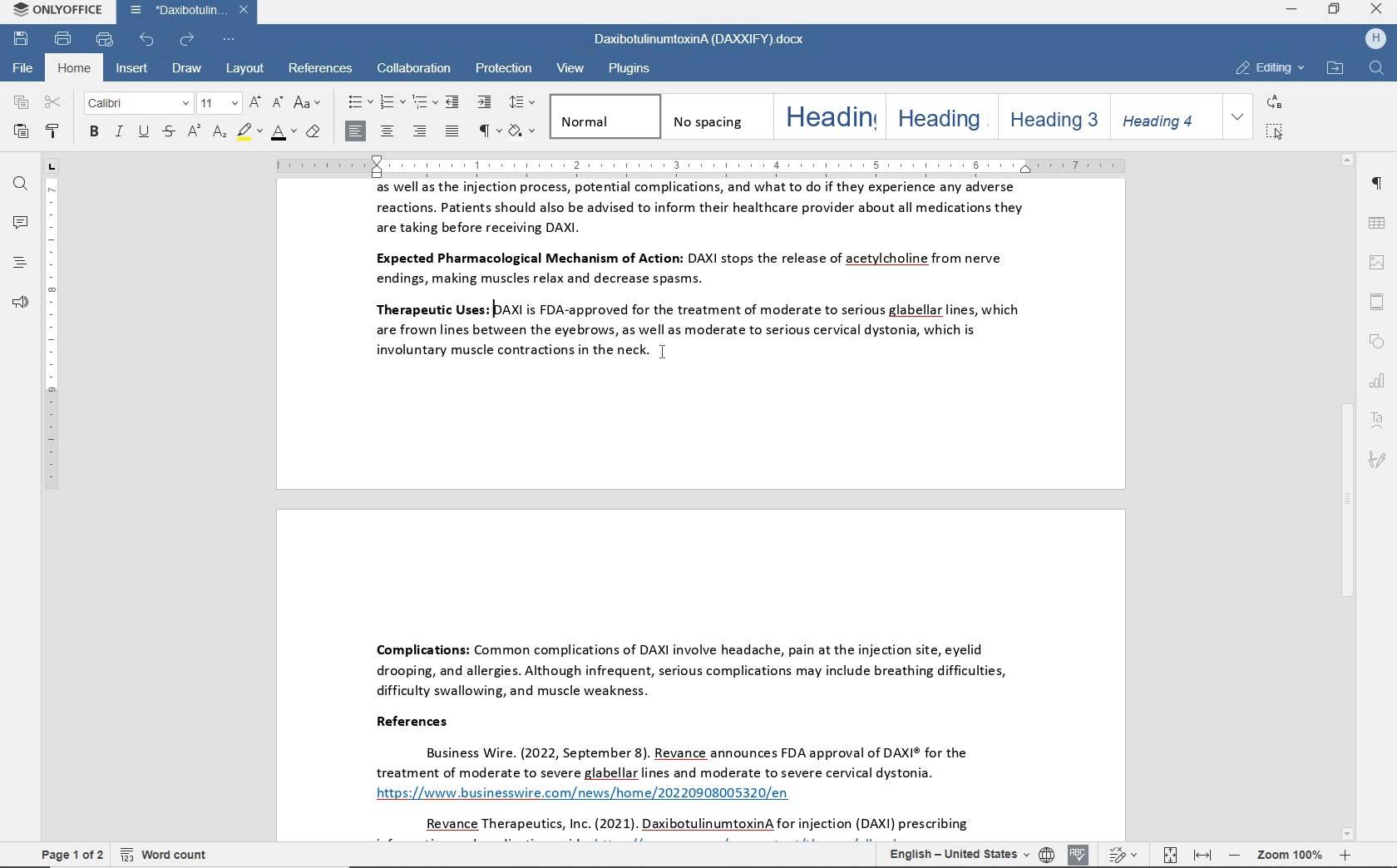 The height and width of the screenshot is (868, 1397). I want to click on file, so click(24, 68).